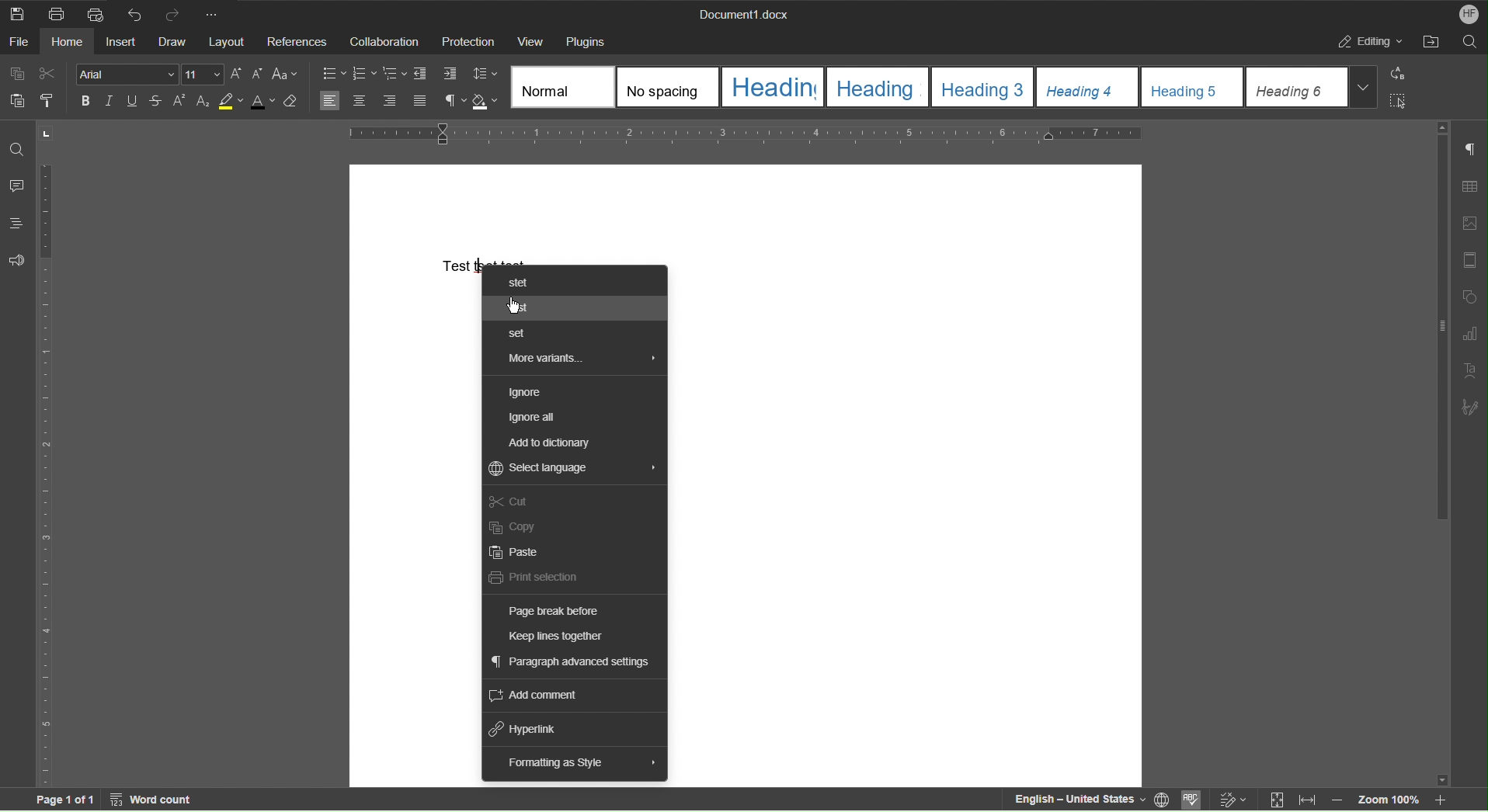 The height and width of the screenshot is (812, 1488). What do you see at coordinates (1469, 297) in the screenshot?
I see `Shape Settings` at bounding box center [1469, 297].